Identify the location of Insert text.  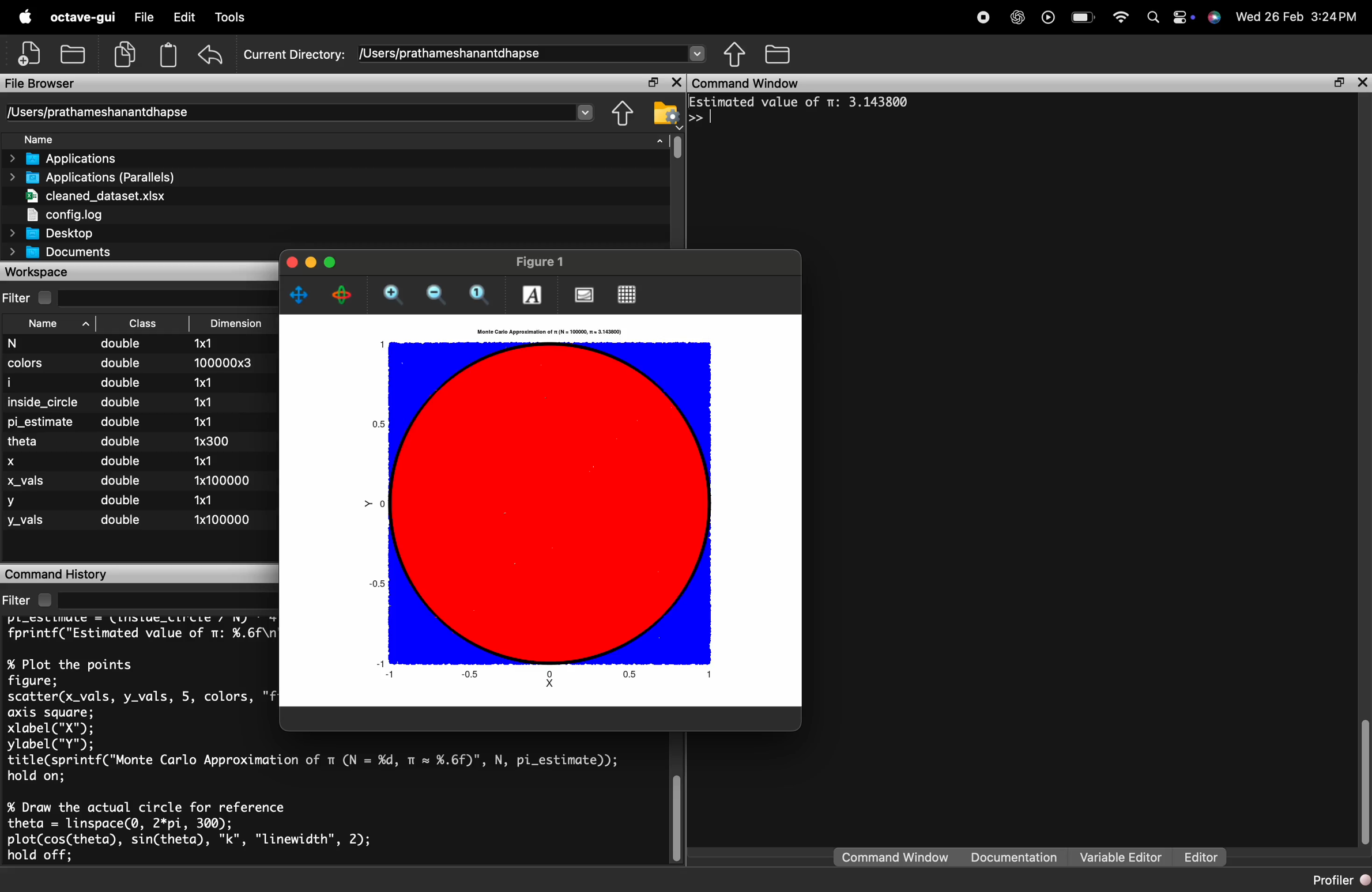
(534, 294).